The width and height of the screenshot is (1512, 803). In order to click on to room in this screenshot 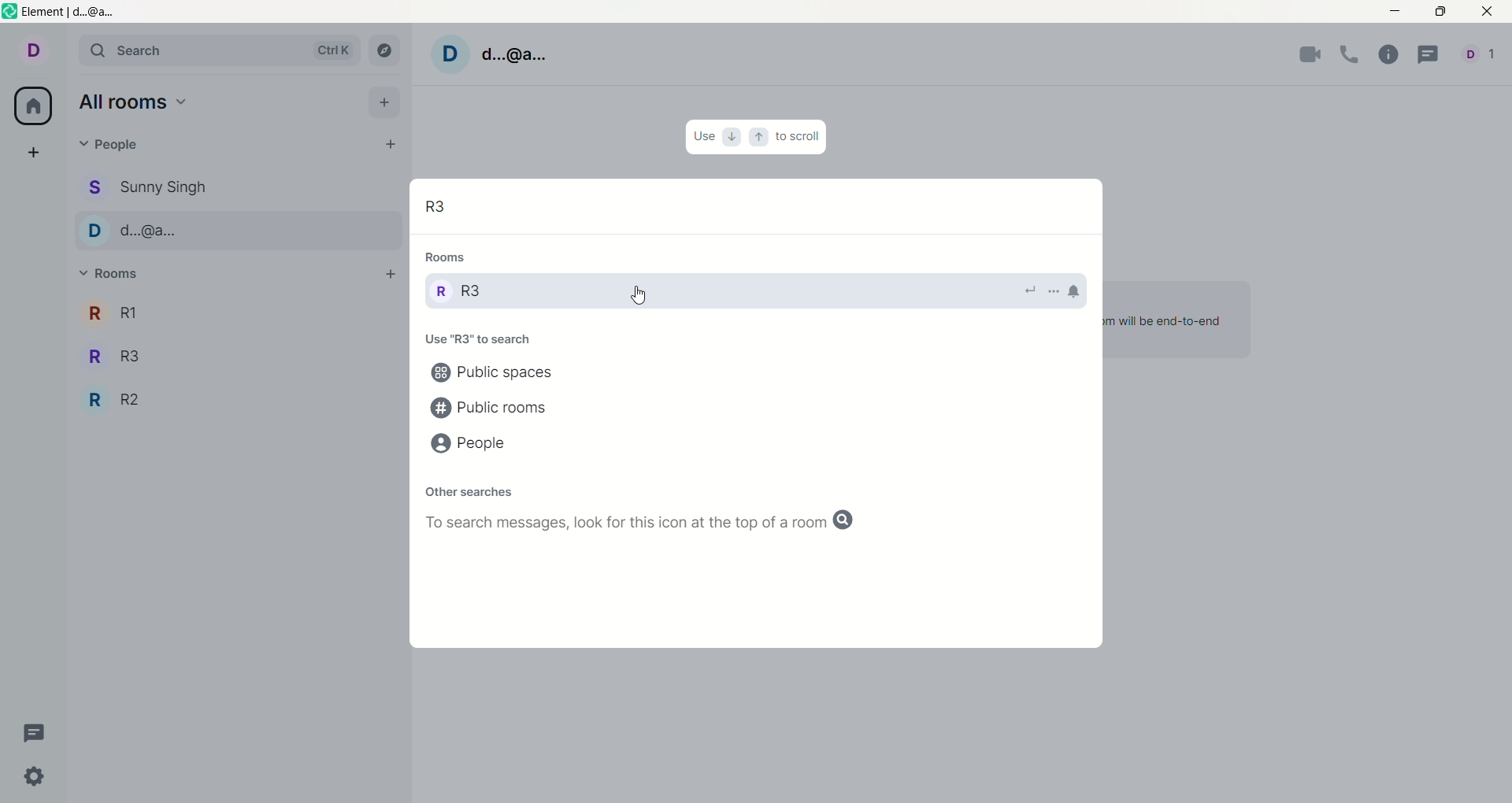, I will do `click(1028, 287)`.